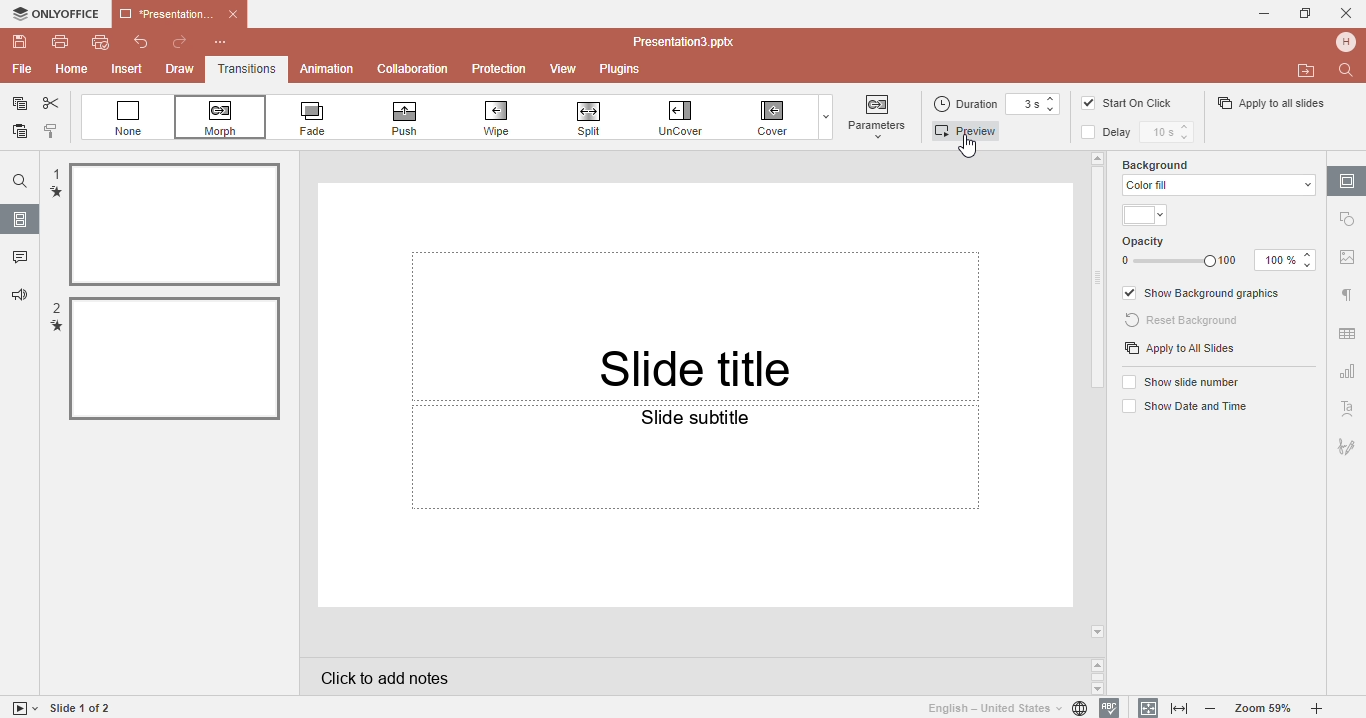 The width and height of the screenshot is (1366, 718). What do you see at coordinates (972, 148) in the screenshot?
I see `Cursor on preview` at bounding box center [972, 148].